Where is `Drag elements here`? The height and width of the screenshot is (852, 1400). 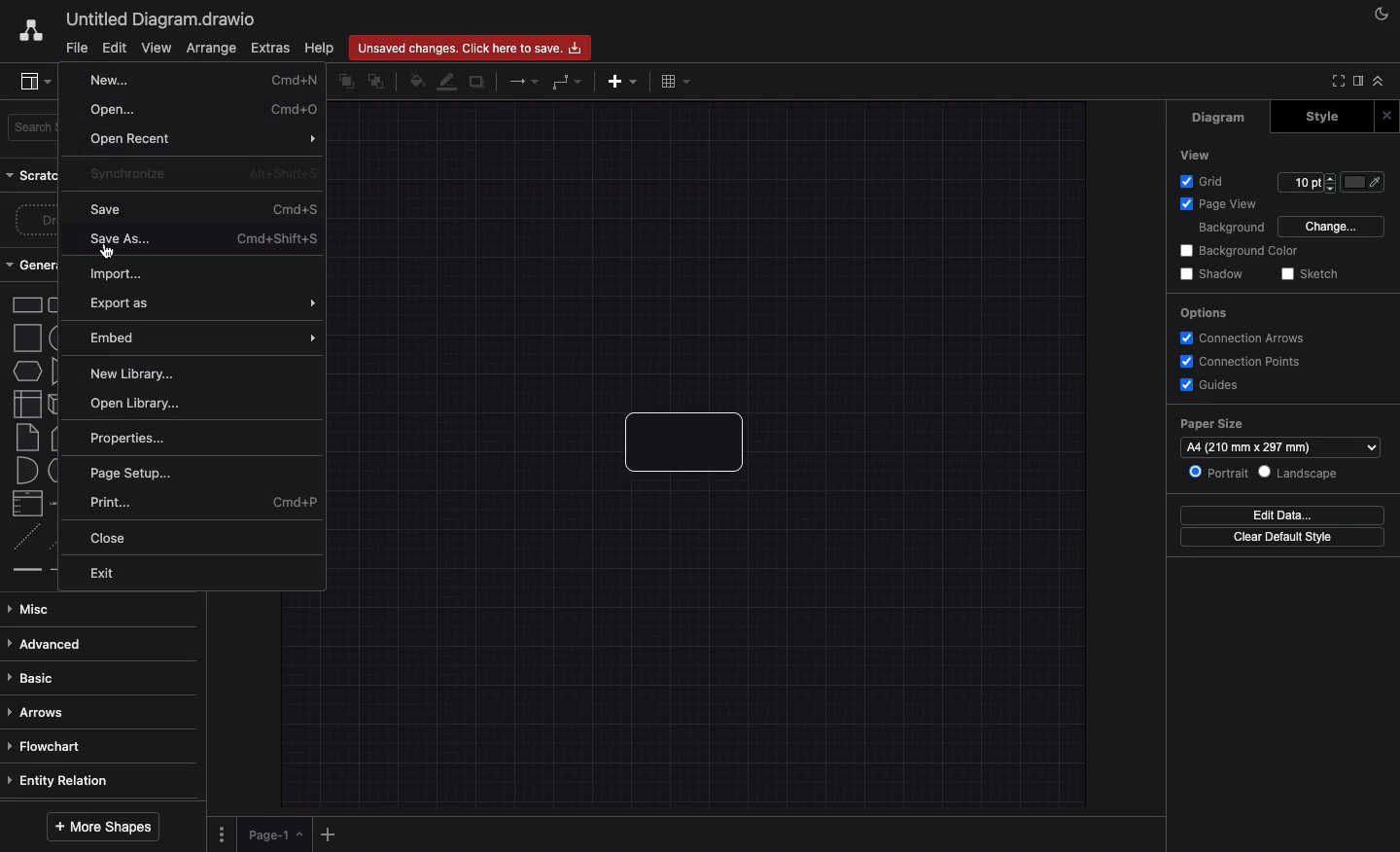
Drag elements here is located at coordinates (37, 221).